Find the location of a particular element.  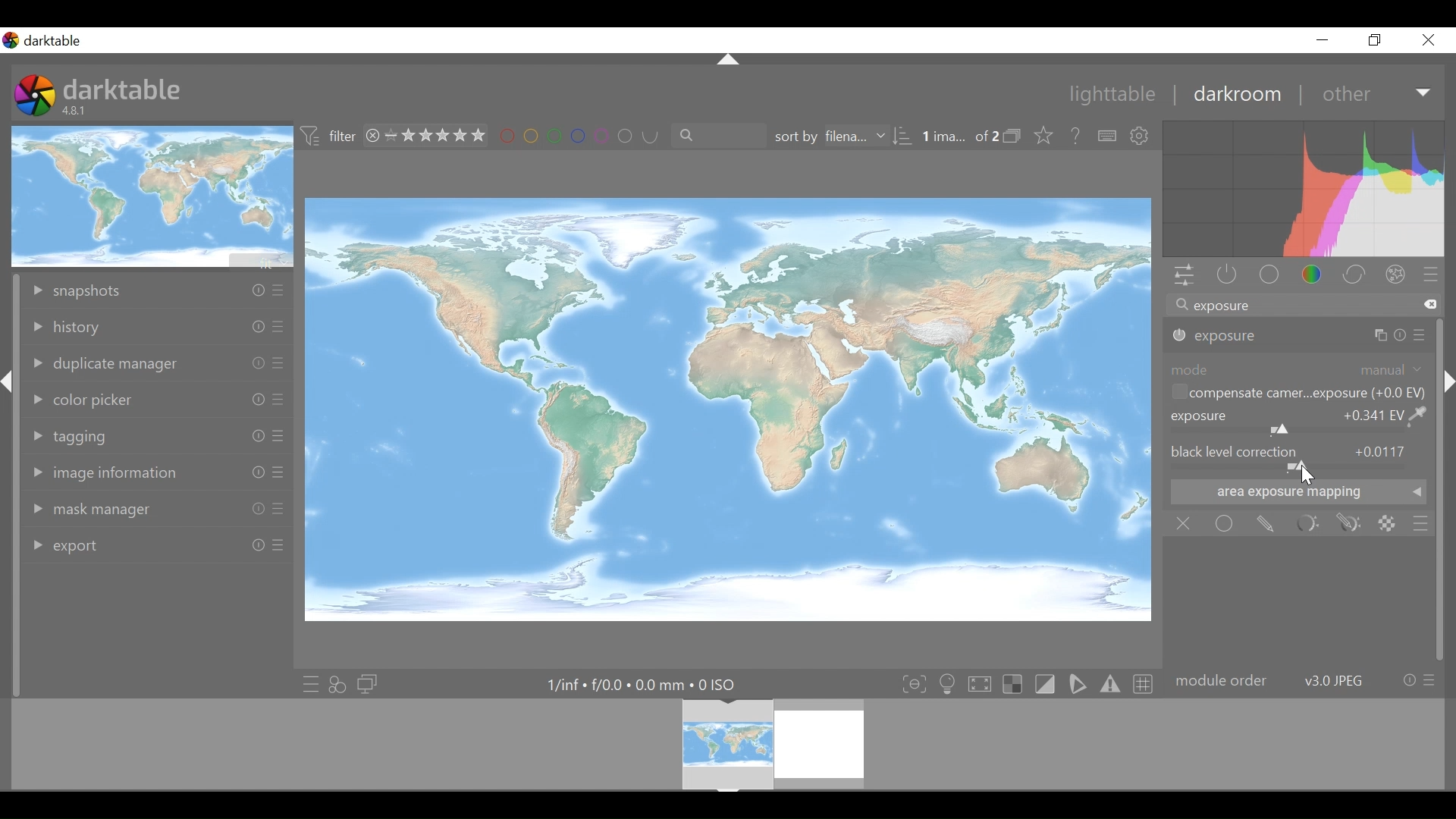

settings is located at coordinates (1141, 136).